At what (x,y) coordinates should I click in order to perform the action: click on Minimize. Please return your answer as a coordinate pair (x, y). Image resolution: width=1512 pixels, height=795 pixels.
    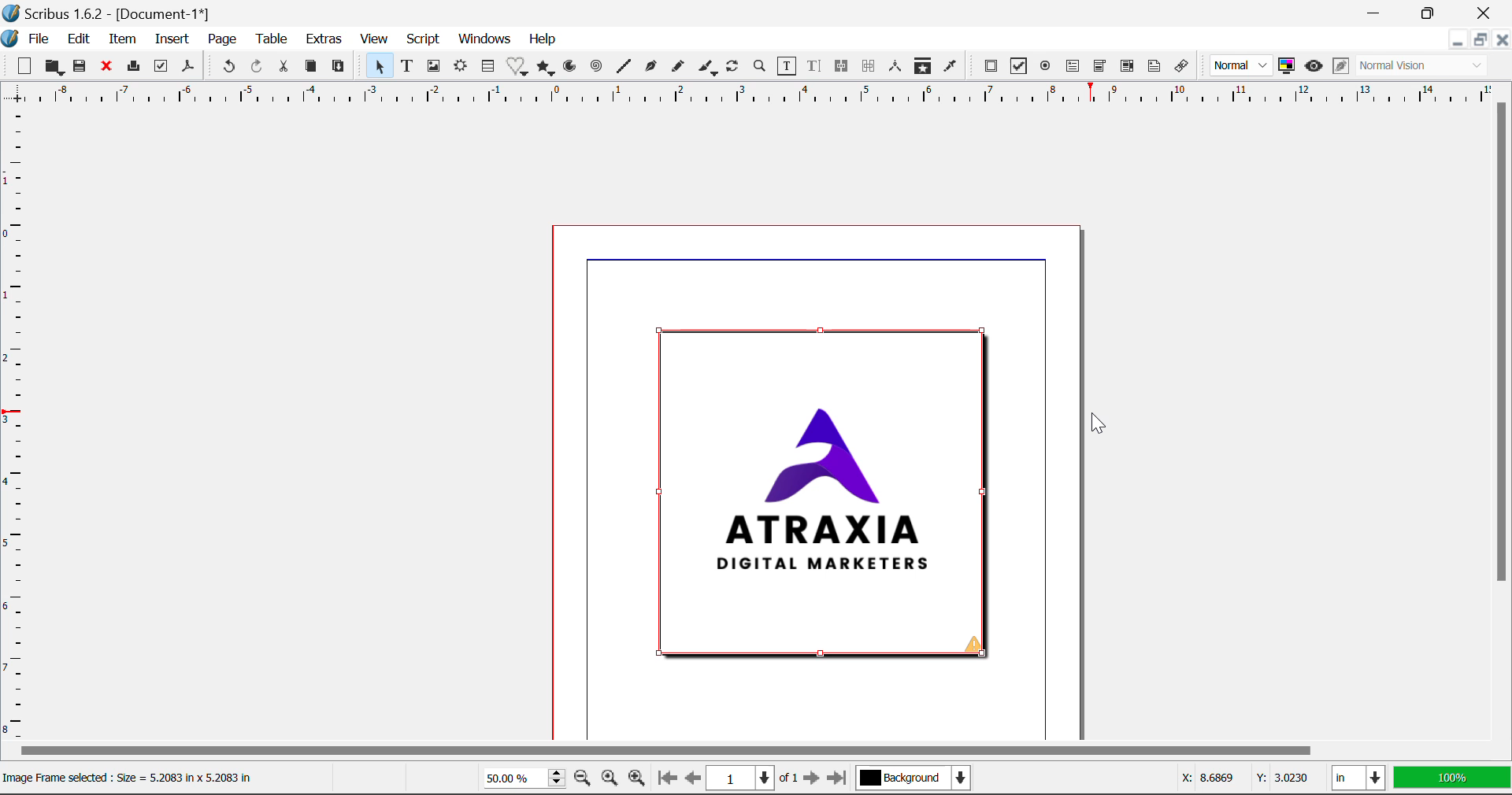
    Looking at the image, I should click on (1430, 11).